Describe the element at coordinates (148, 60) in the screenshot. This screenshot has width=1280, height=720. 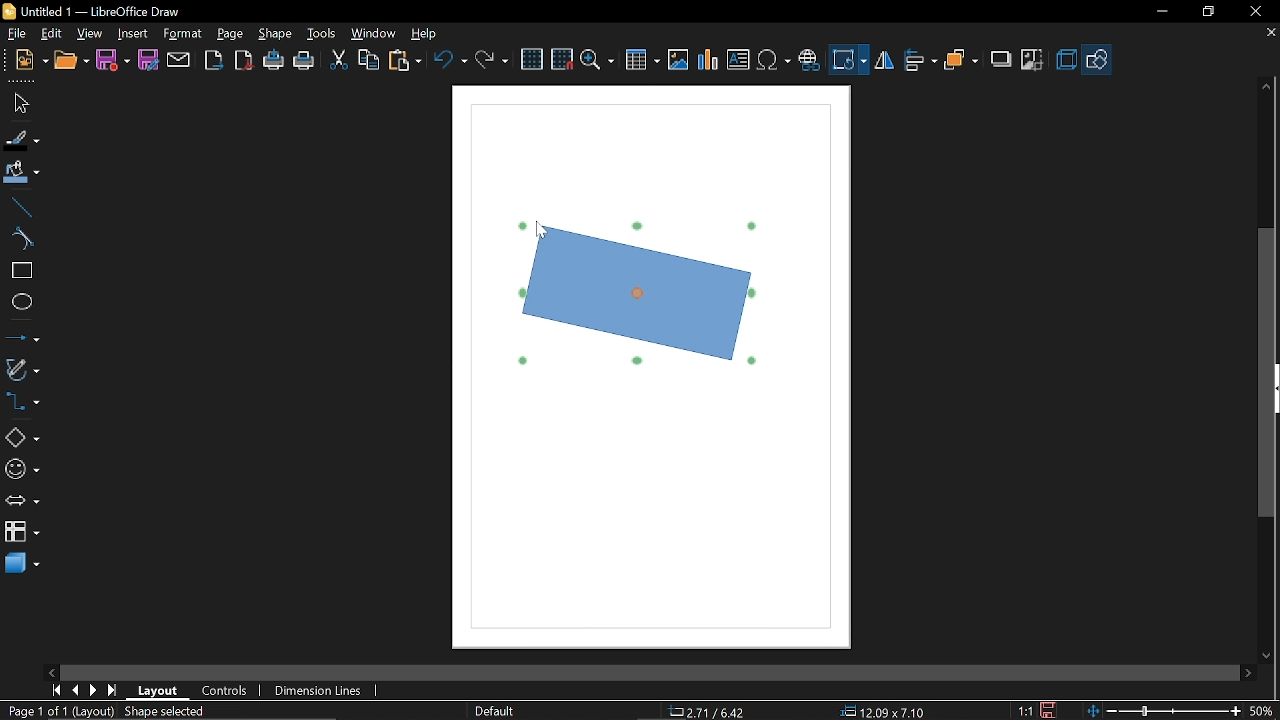
I see `save as` at that location.